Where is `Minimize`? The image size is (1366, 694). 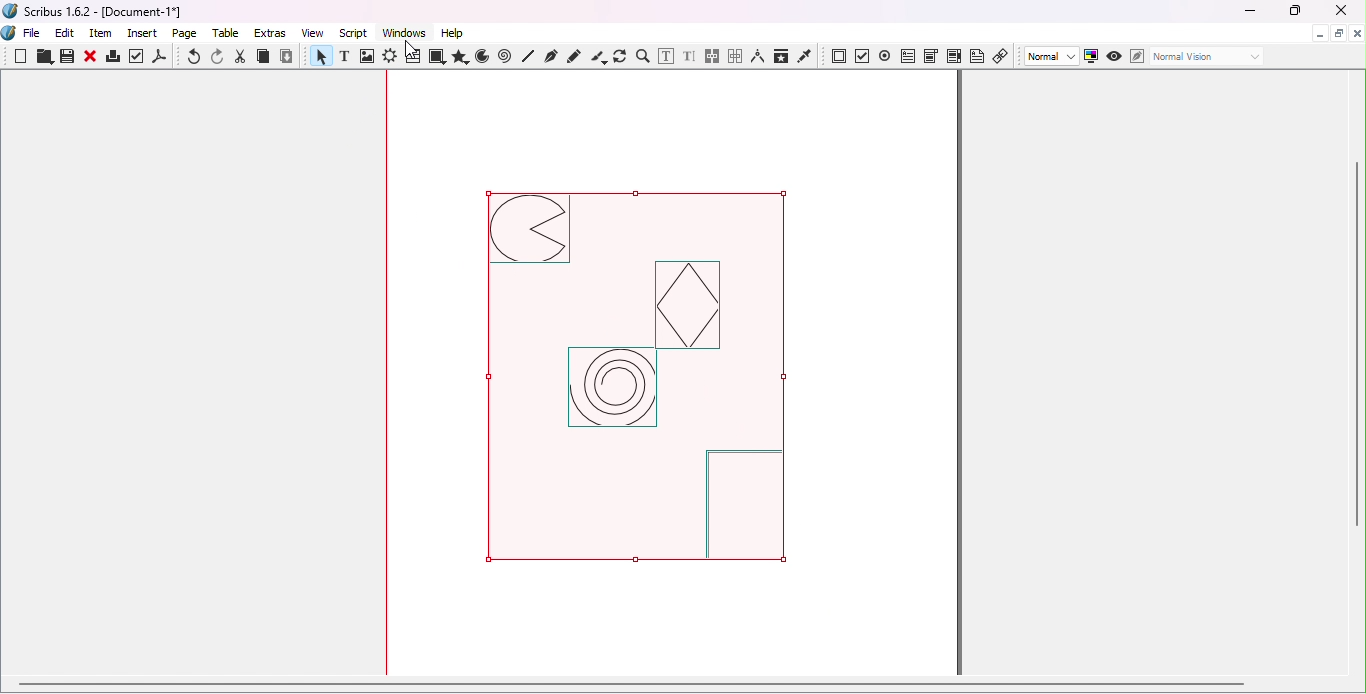
Minimize is located at coordinates (1249, 12).